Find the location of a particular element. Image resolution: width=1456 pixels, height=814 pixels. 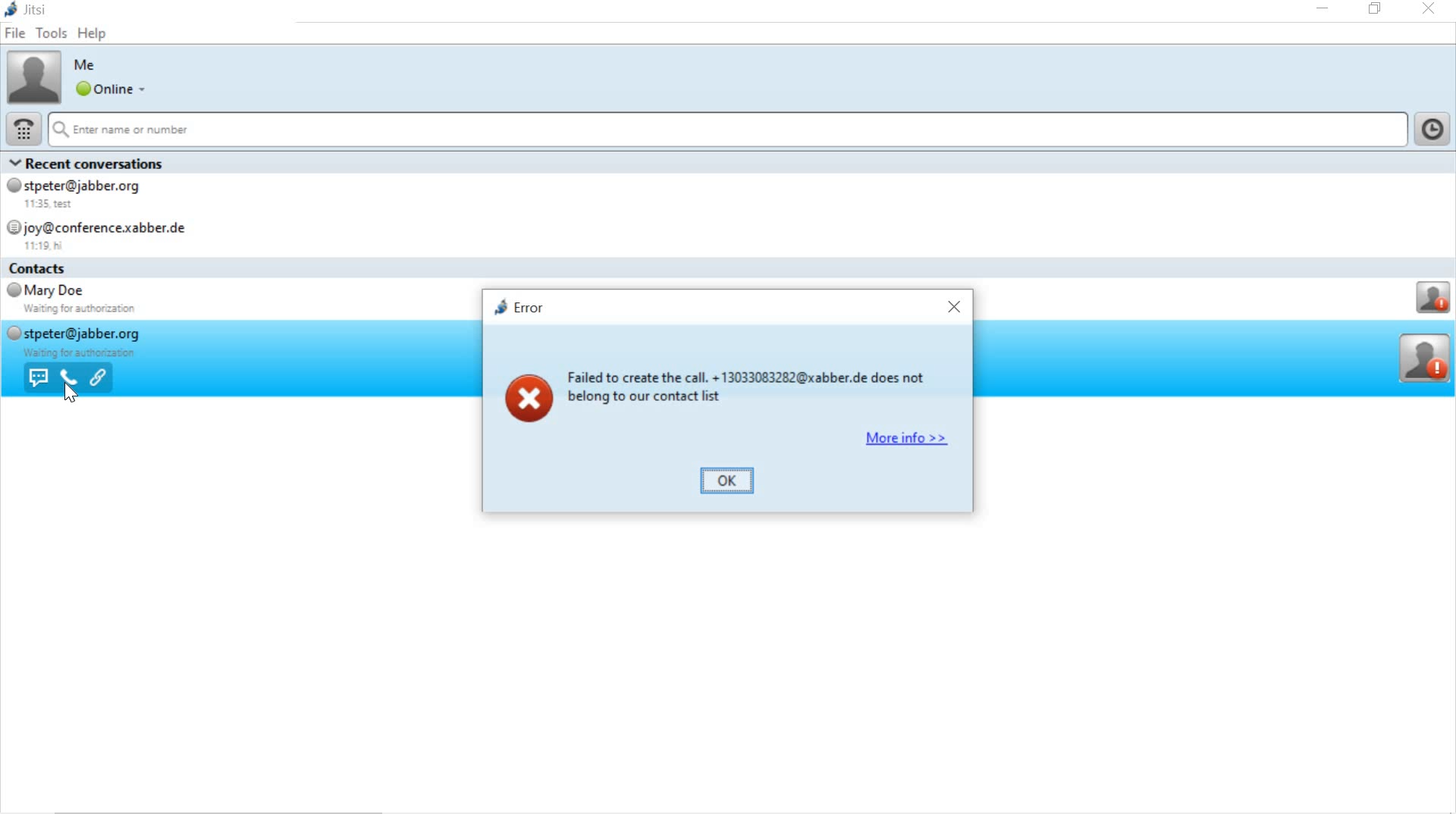

open webpage is located at coordinates (100, 379).